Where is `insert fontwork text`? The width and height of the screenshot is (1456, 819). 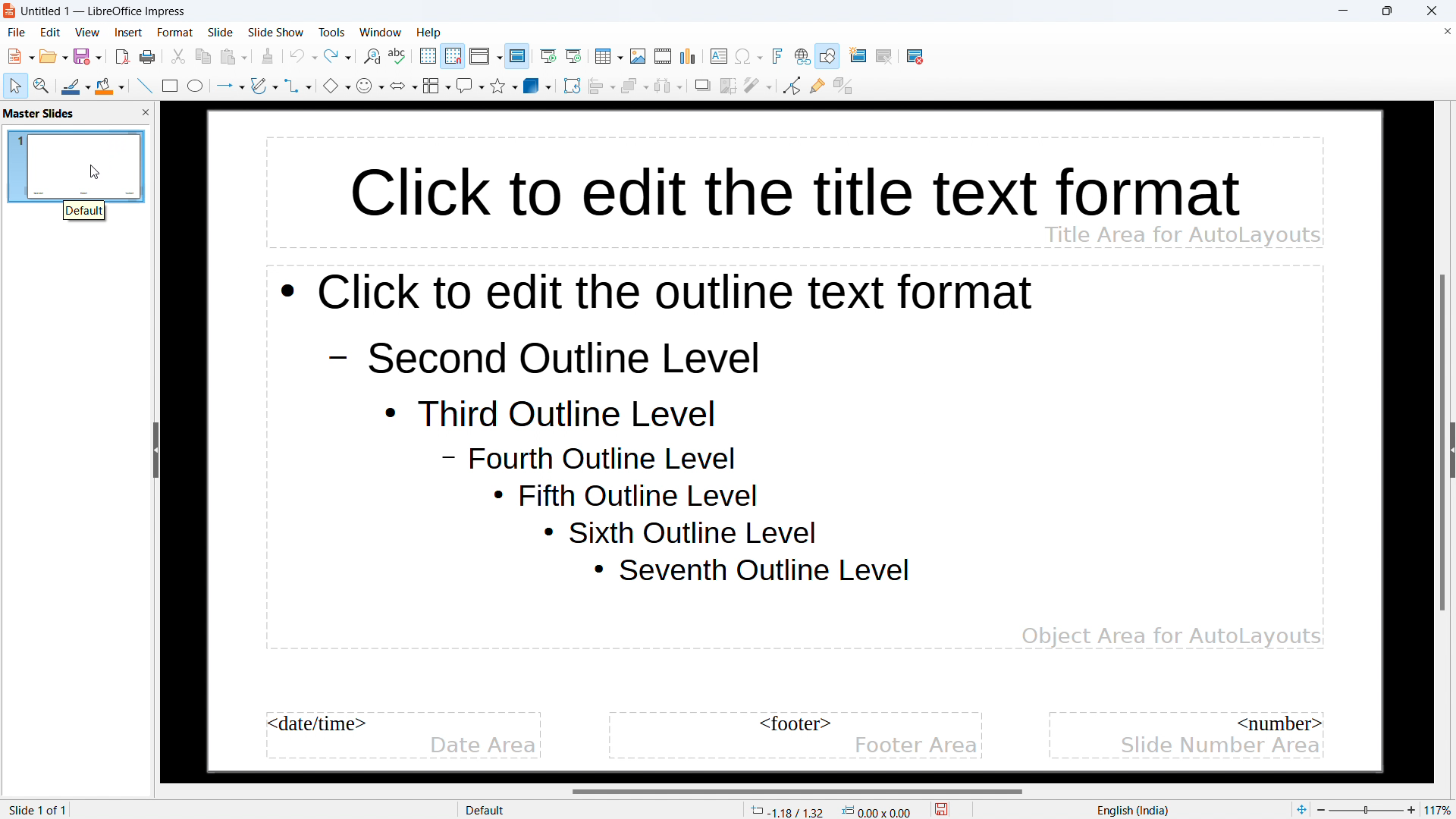 insert fontwork text is located at coordinates (777, 56).